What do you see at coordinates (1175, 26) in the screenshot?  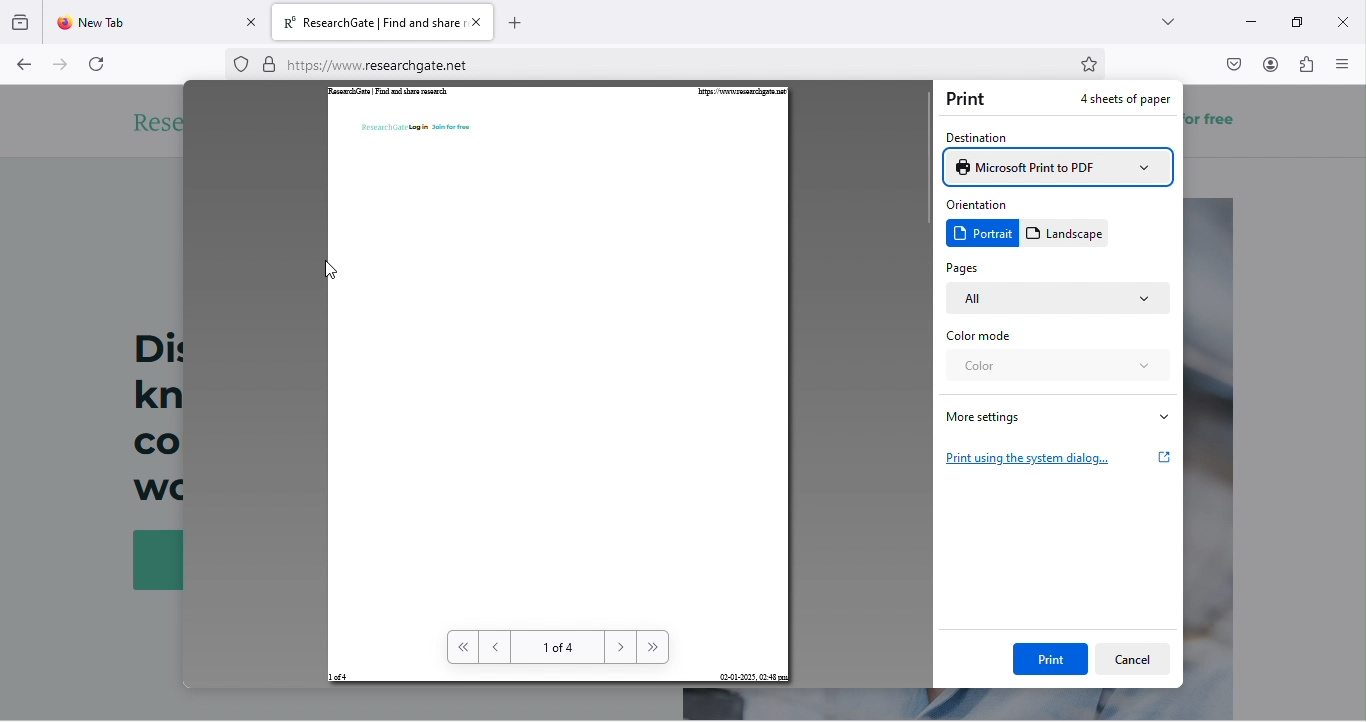 I see `search tab` at bounding box center [1175, 26].